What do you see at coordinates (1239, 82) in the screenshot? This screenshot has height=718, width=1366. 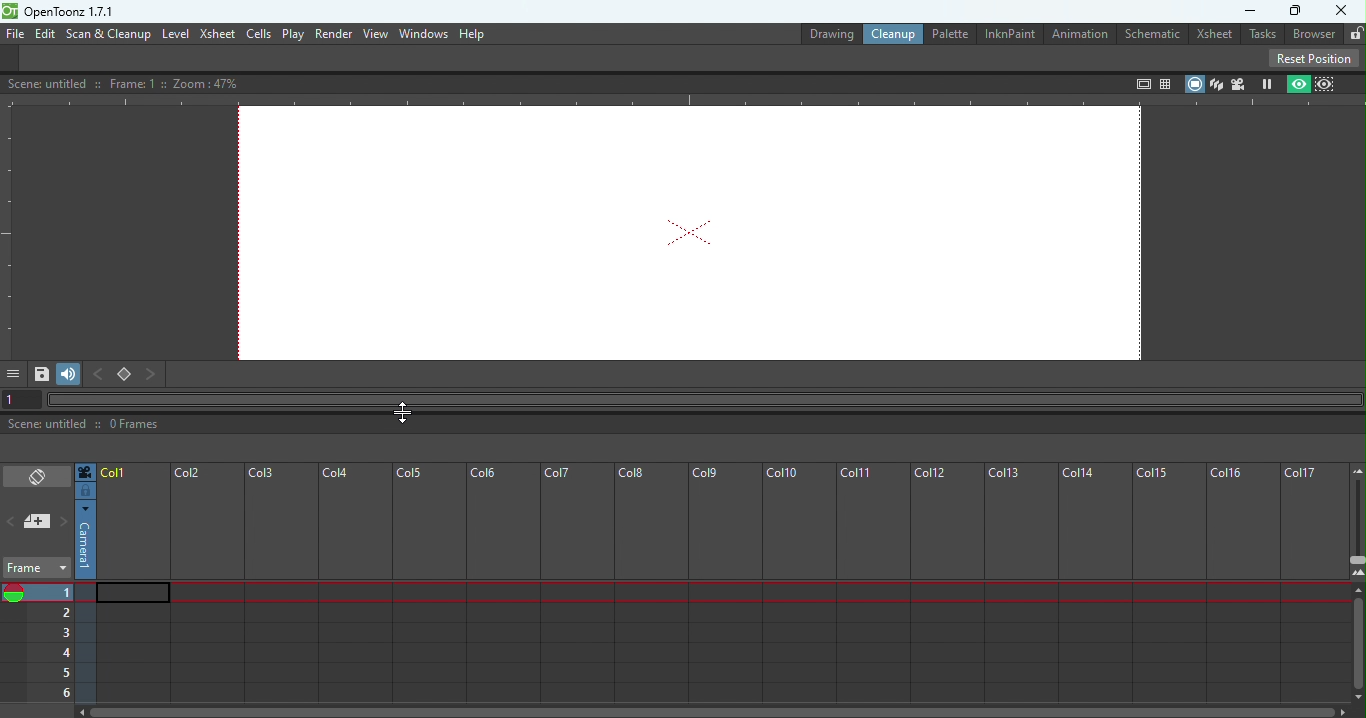 I see `Camera view` at bounding box center [1239, 82].